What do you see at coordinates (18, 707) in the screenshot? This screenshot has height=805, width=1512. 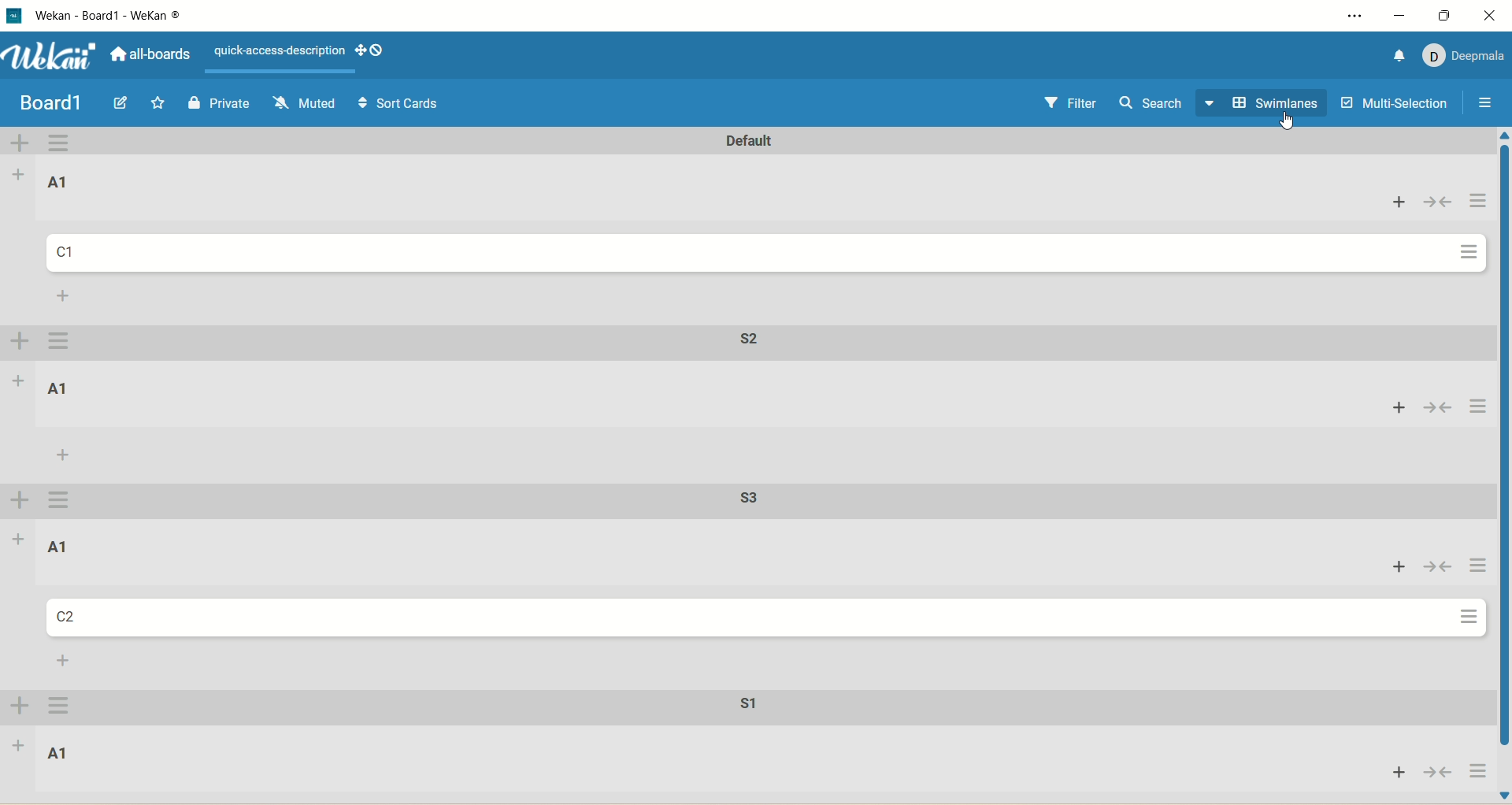 I see `add swimlane` at bounding box center [18, 707].